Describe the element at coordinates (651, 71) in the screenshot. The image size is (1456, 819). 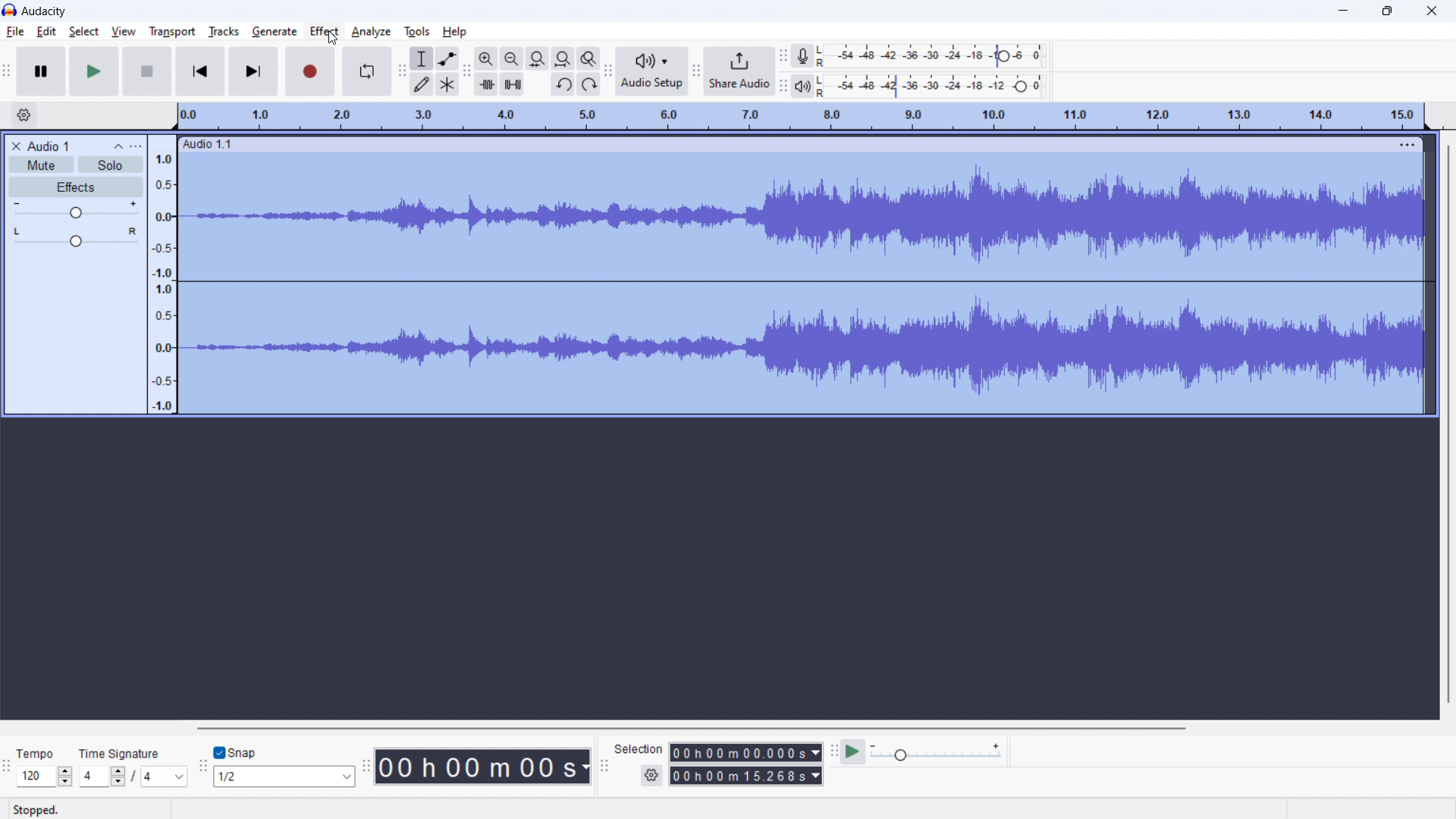
I see `audio setup` at that location.